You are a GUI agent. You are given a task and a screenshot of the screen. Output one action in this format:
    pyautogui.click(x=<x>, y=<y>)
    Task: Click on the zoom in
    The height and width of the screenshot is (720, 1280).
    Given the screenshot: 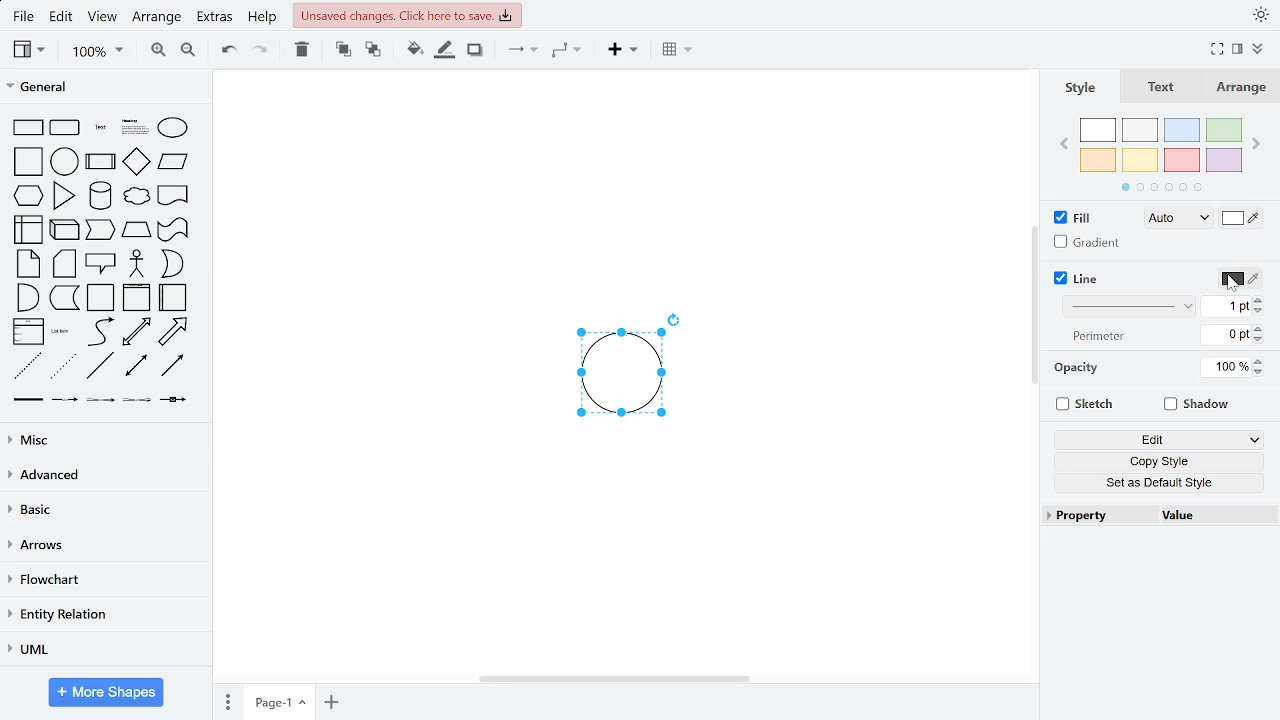 What is the action you would take?
    pyautogui.click(x=159, y=51)
    